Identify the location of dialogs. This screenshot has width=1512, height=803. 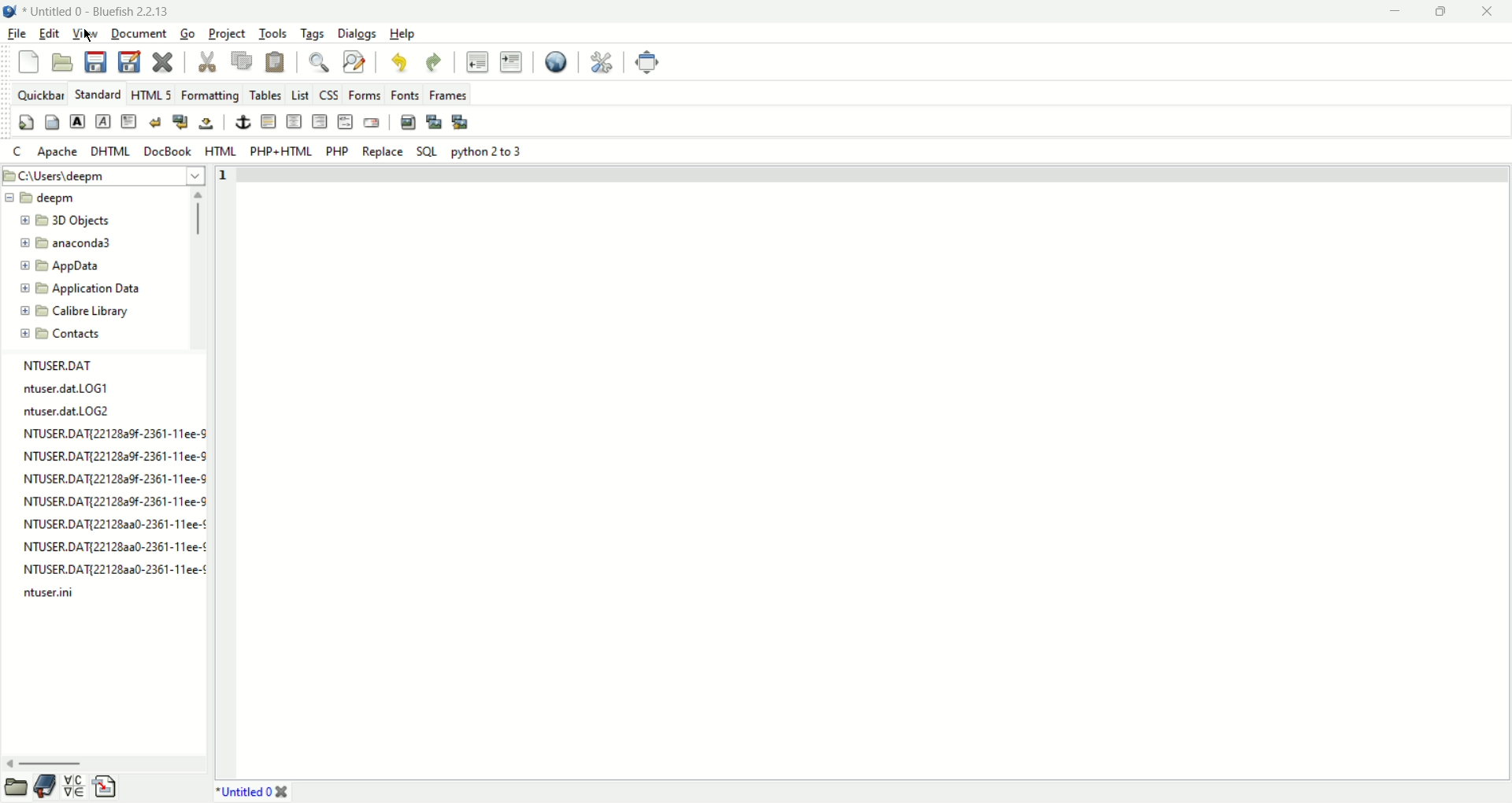
(356, 33).